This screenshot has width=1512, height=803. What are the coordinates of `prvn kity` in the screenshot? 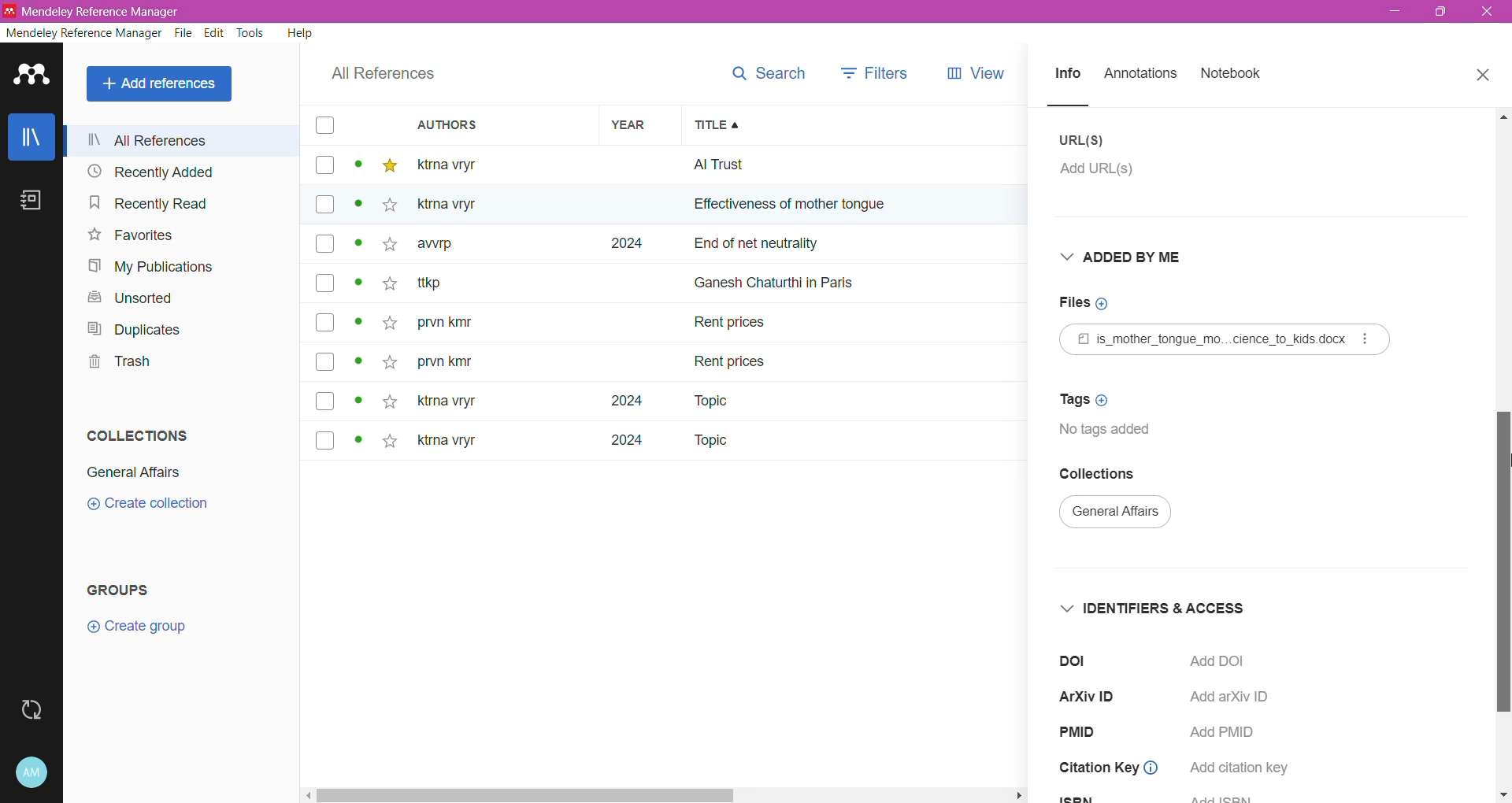 It's located at (454, 324).